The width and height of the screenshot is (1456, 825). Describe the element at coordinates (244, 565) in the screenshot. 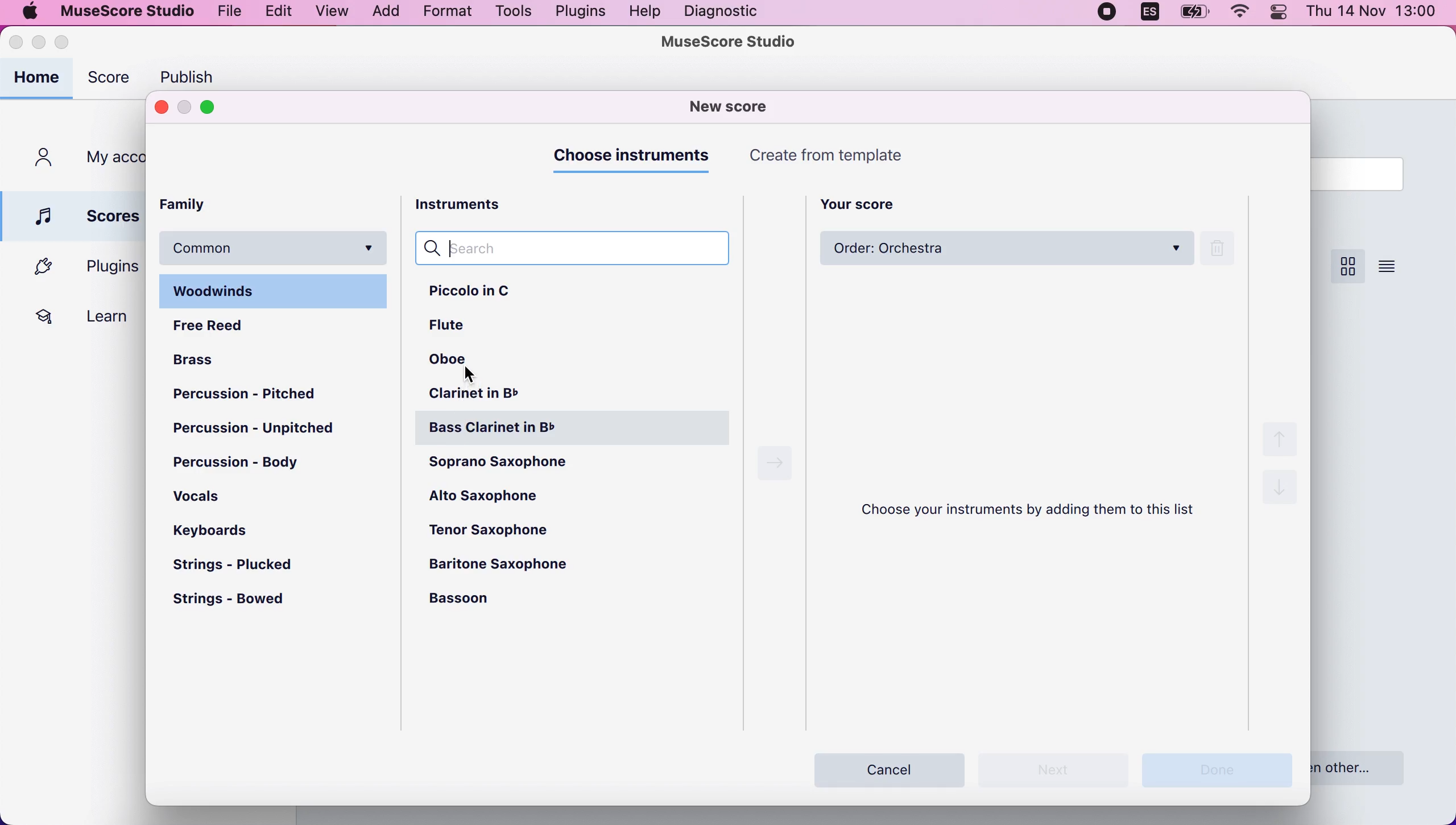

I see `strings-plucked` at that location.